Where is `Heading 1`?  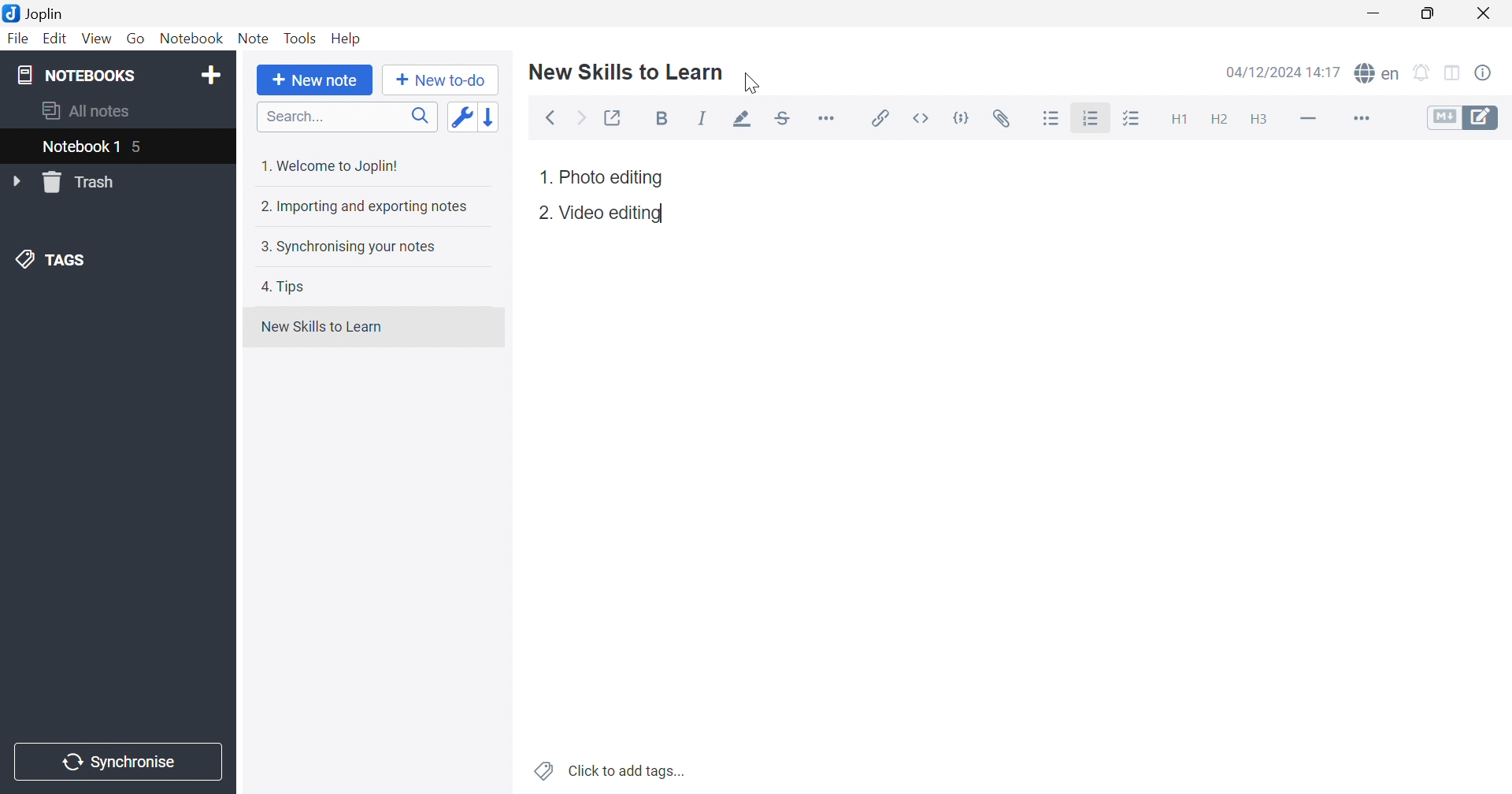 Heading 1 is located at coordinates (1177, 121).